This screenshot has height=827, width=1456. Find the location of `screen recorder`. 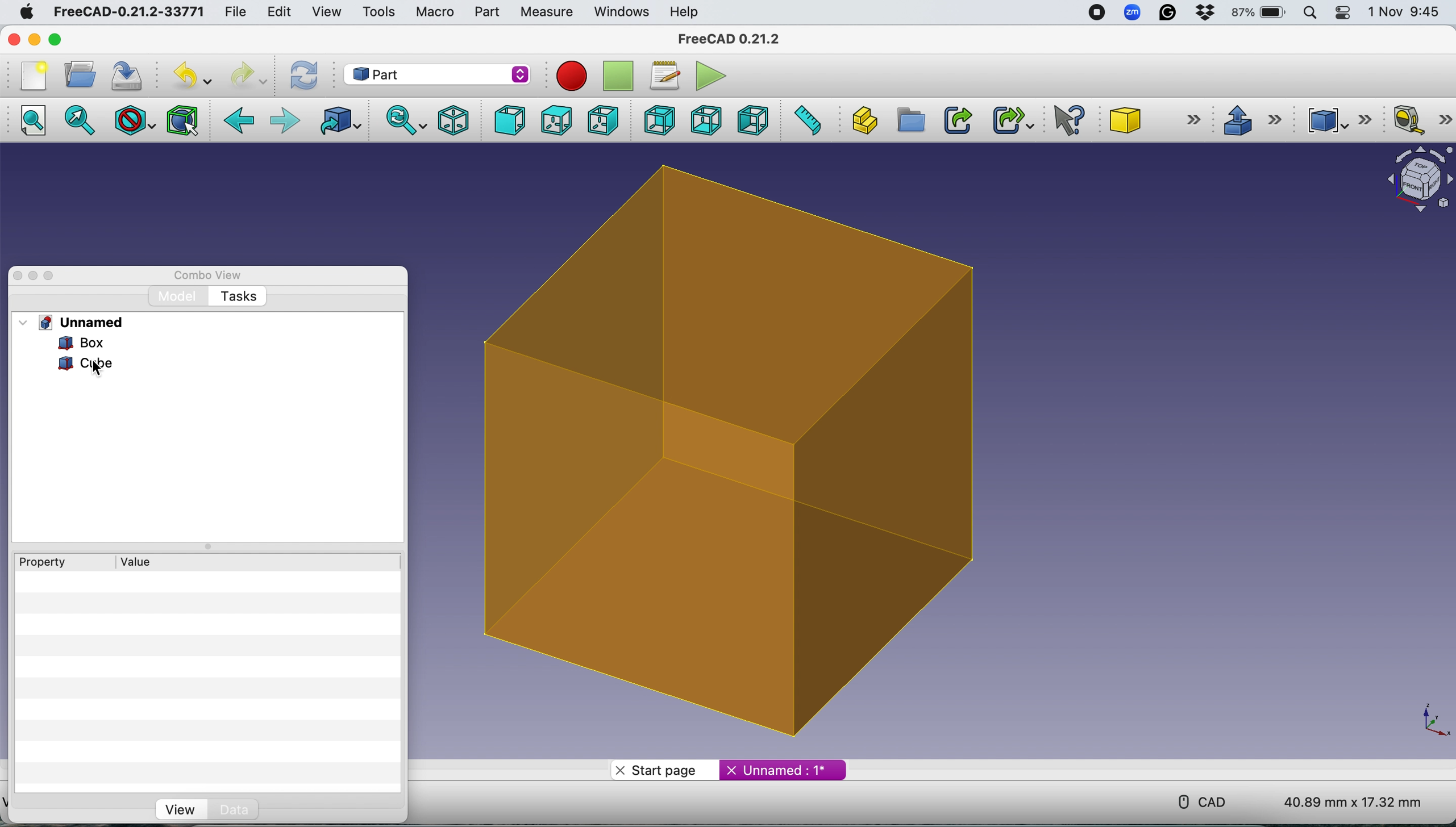

screen recorder is located at coordinates (1095, 13).